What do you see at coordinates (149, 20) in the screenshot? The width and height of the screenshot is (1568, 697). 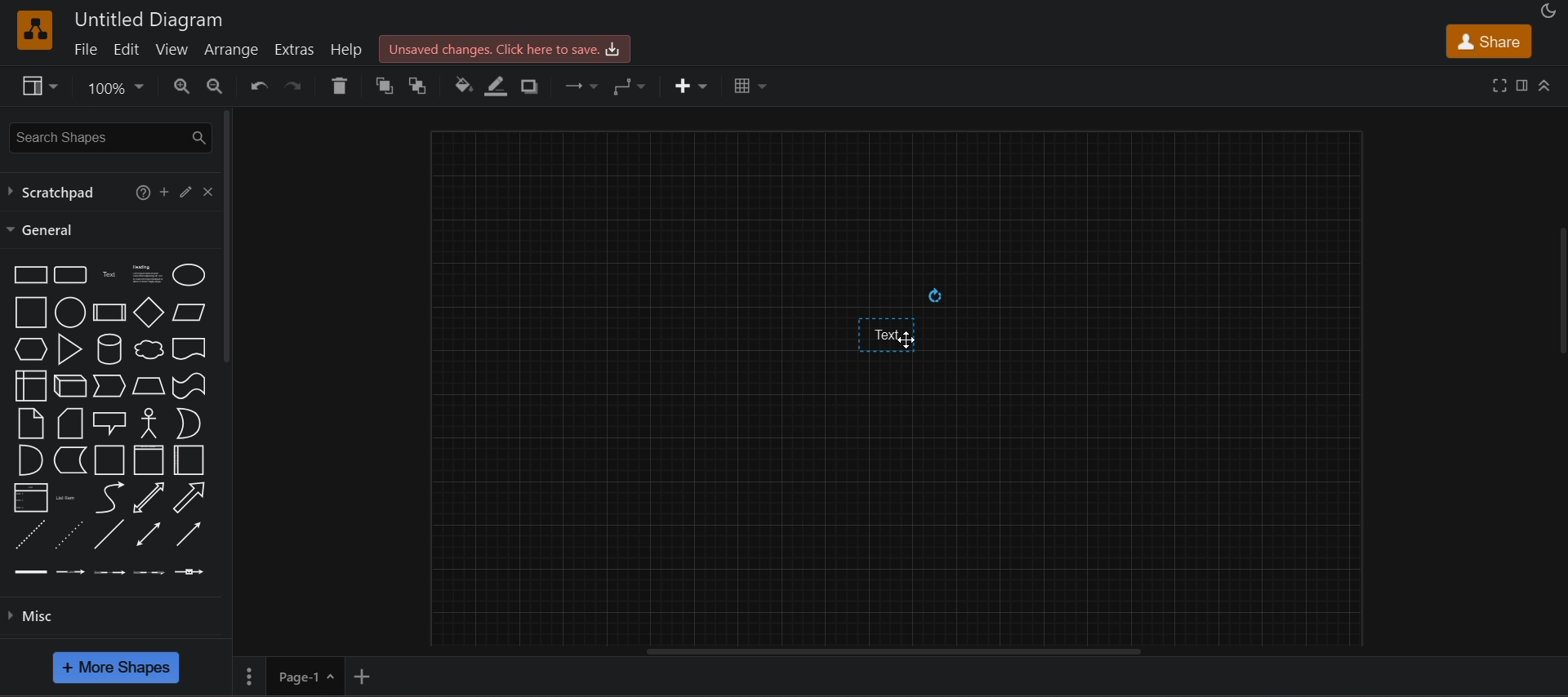 I see `Untitled diagram` at bounding box center [149, 20].